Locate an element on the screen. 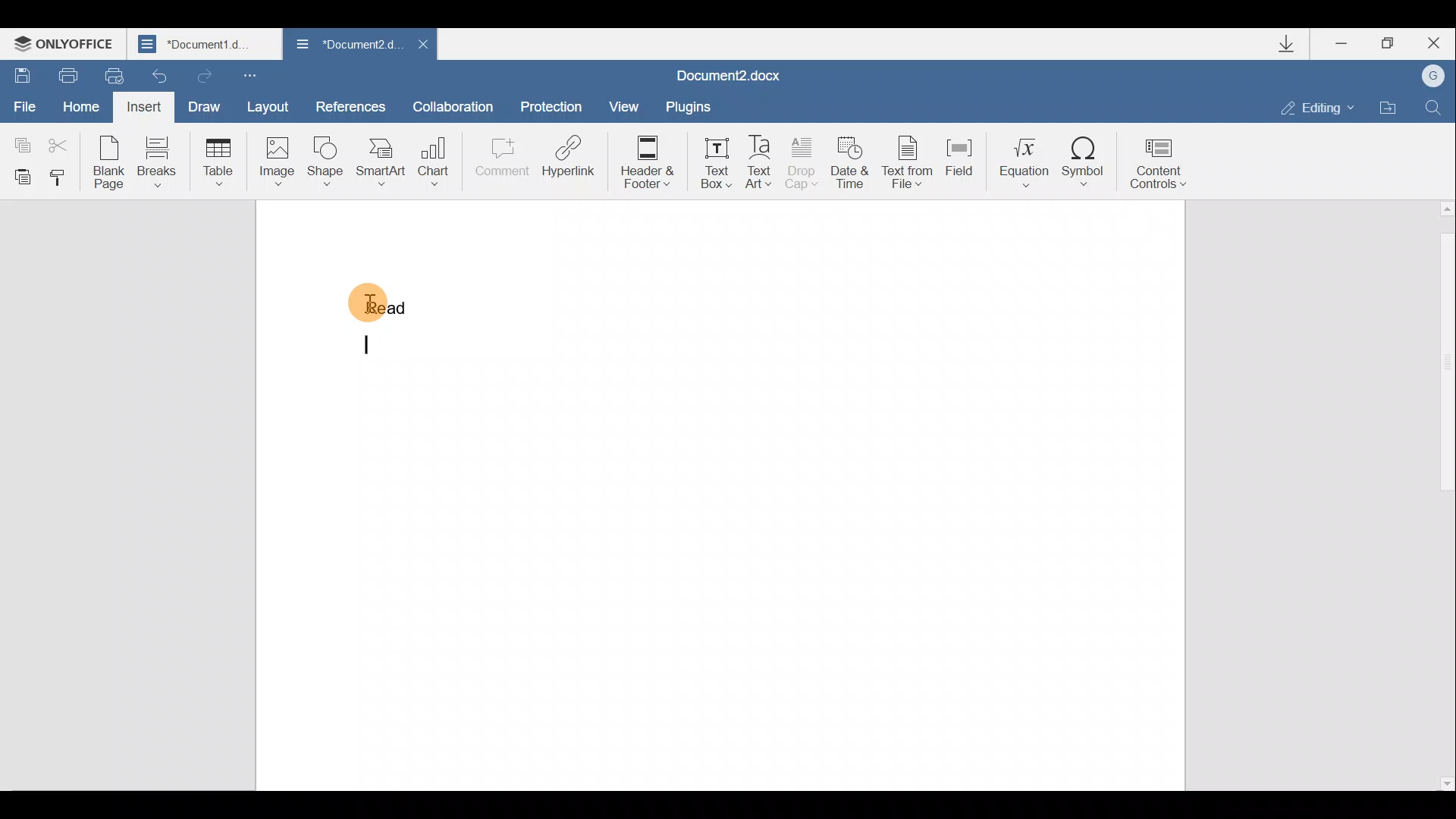  Plugins is located at coordinates (686, 106).